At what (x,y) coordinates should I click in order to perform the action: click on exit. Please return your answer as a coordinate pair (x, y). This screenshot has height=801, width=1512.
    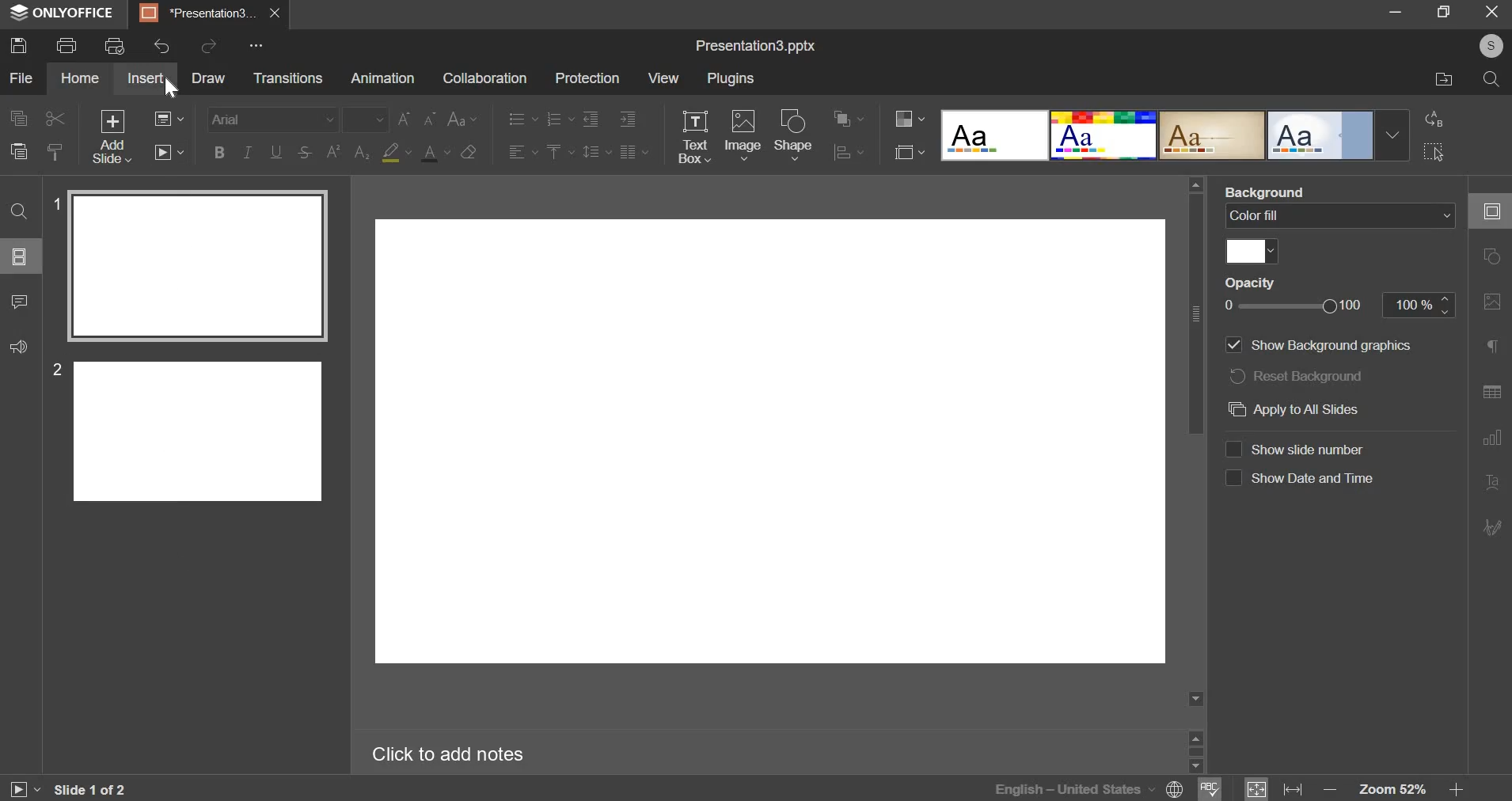
    Looking at the image, I should click on (1494, 12).